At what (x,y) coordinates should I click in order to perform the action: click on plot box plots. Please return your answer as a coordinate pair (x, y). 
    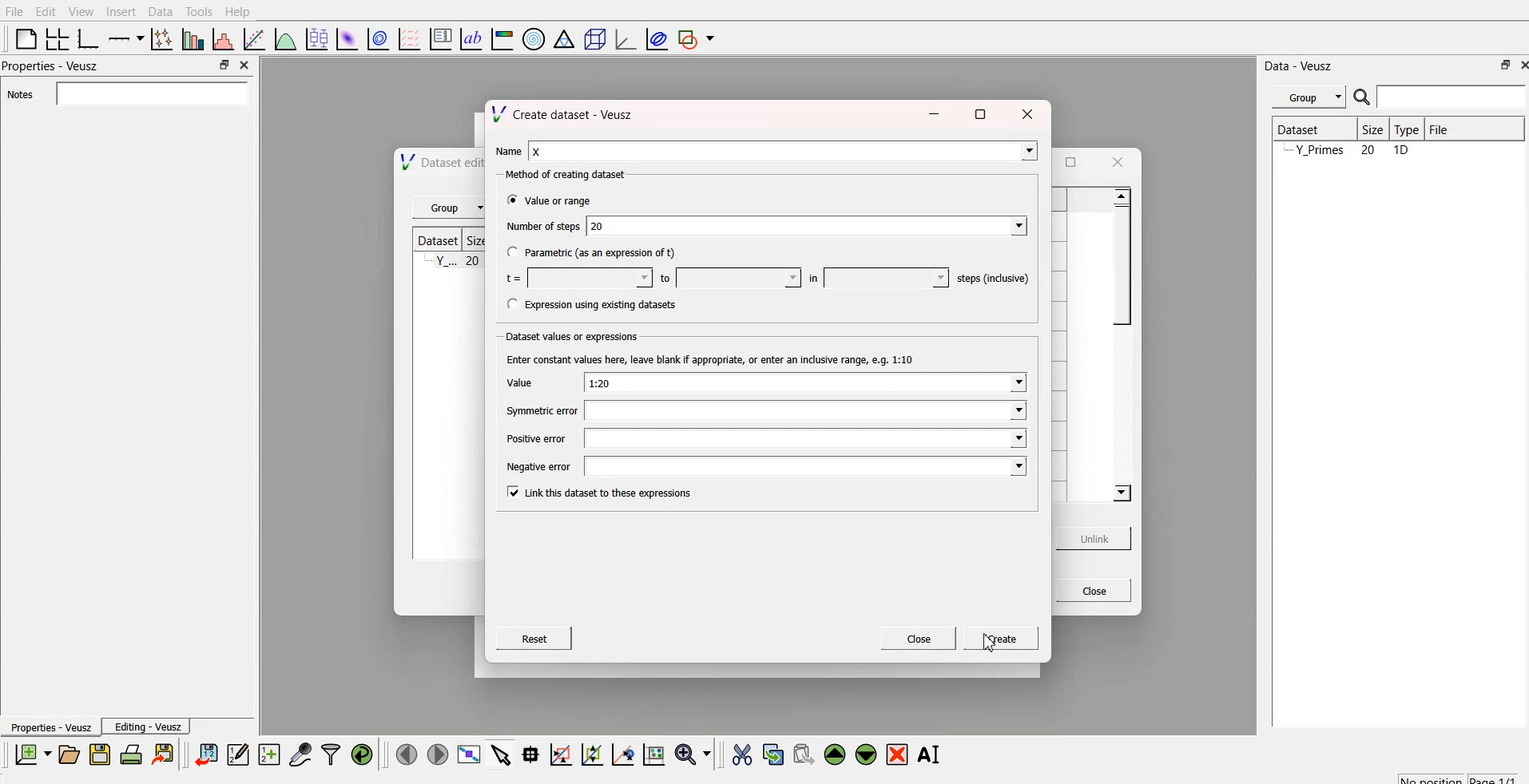
    Looking at the image, I should click on (315, 38).